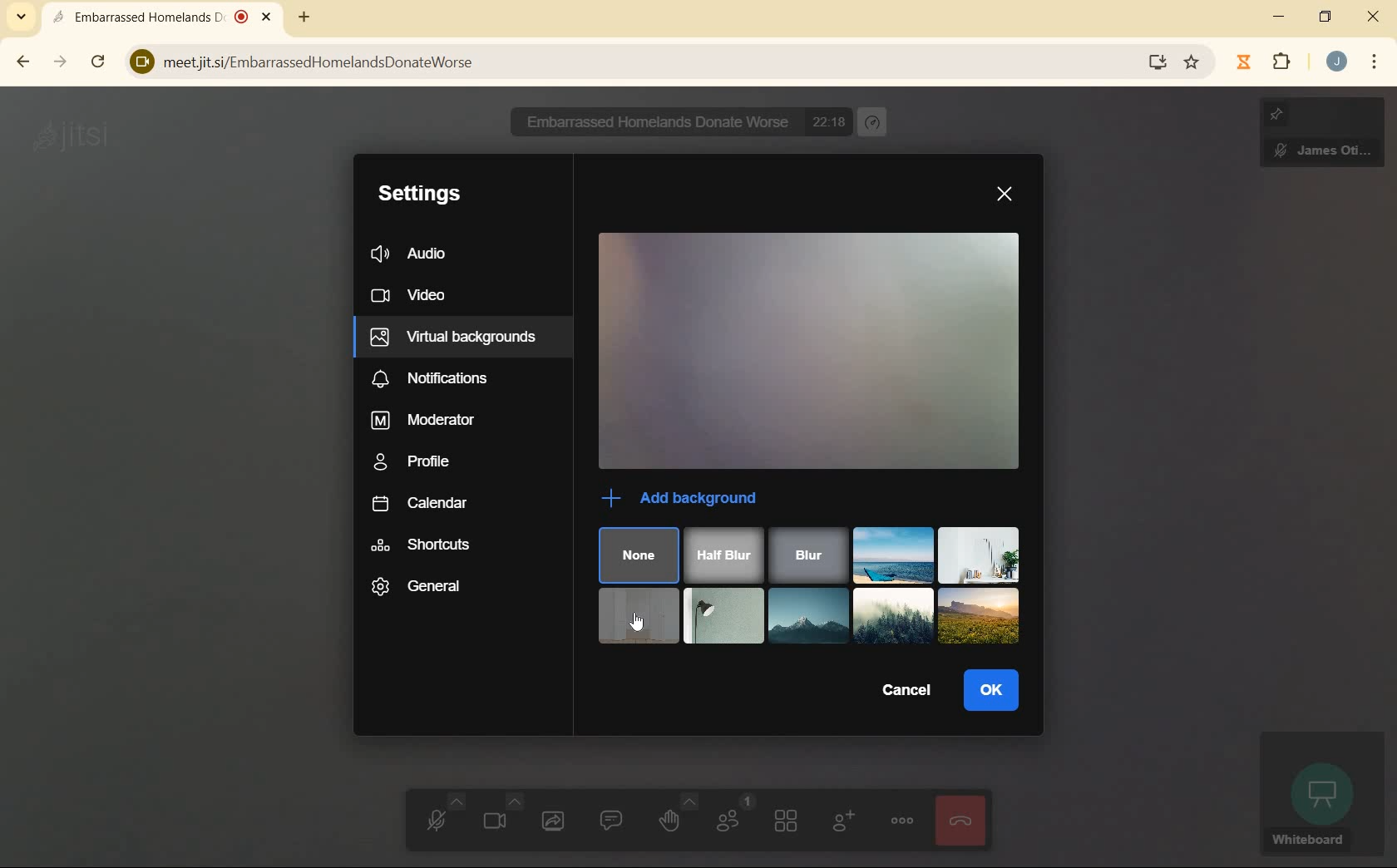 The height and width of the screenshot is (868, 1397). I want to click on settings, so click(417, 195).